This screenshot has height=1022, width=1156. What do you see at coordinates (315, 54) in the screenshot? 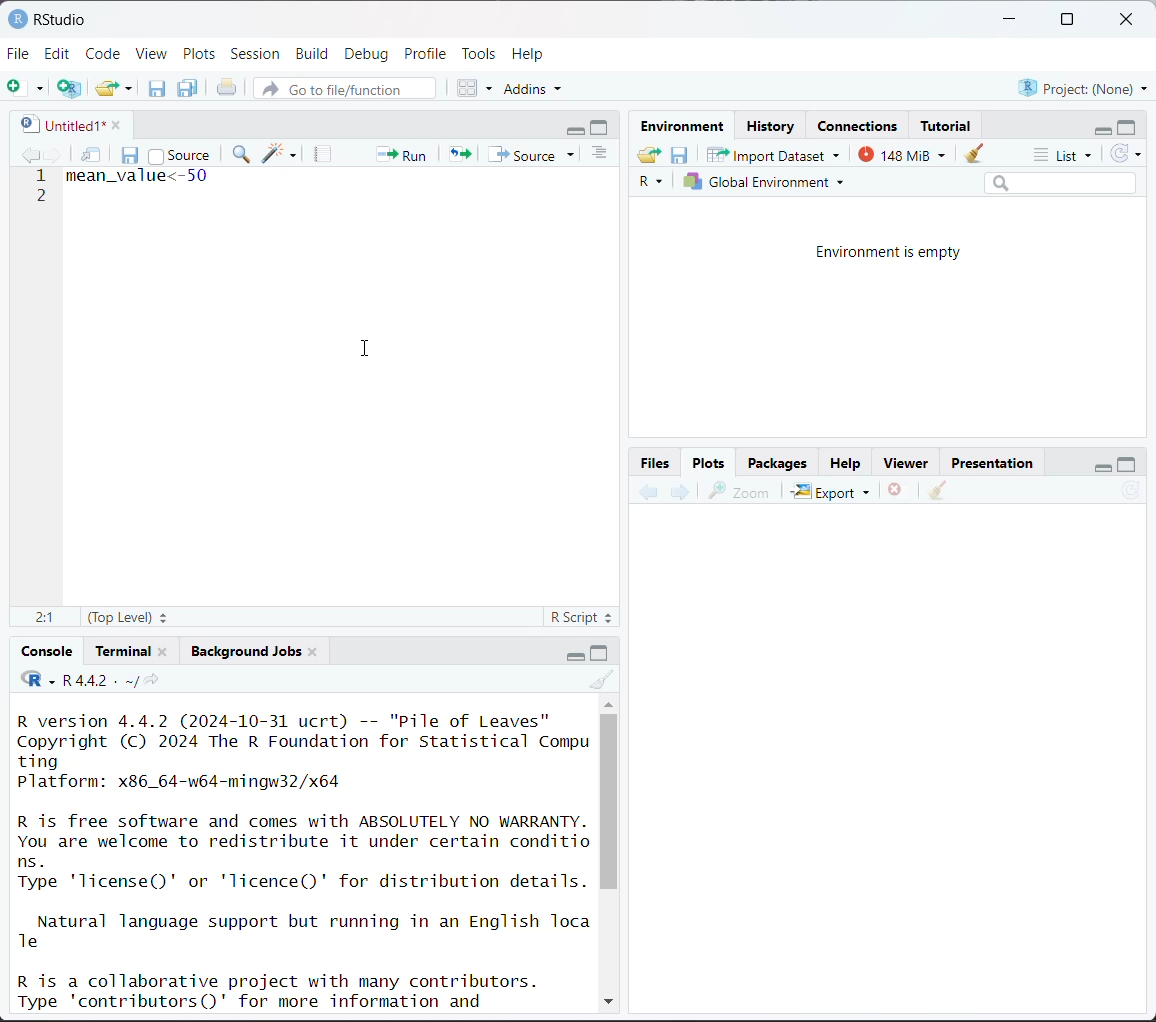
I see `Build` at bounding box center [315, 54].